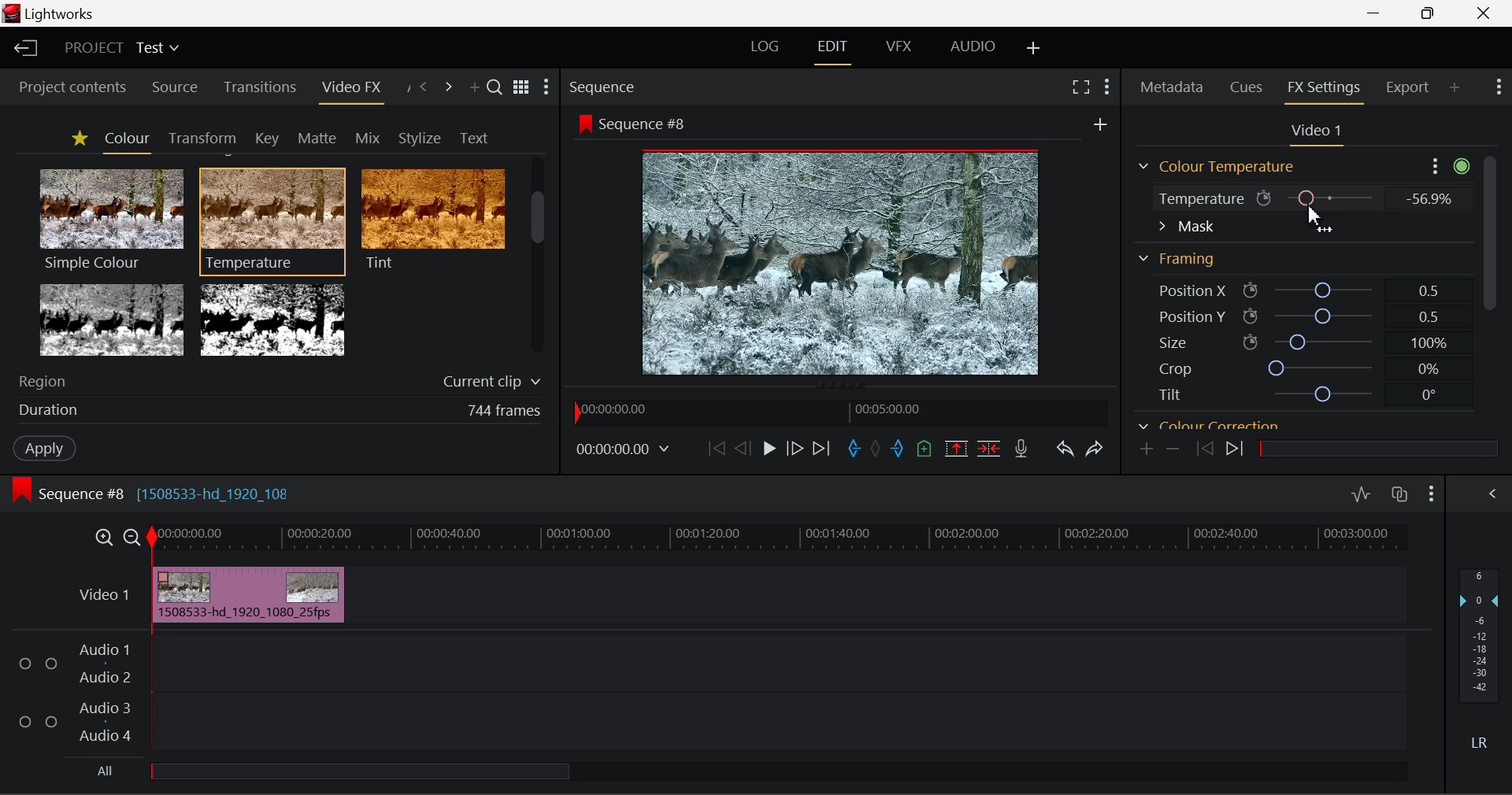 The image size is (1512, 795). Describe the element at coordinates (1427, 369) in the screenshot. I see `0%` at that location.